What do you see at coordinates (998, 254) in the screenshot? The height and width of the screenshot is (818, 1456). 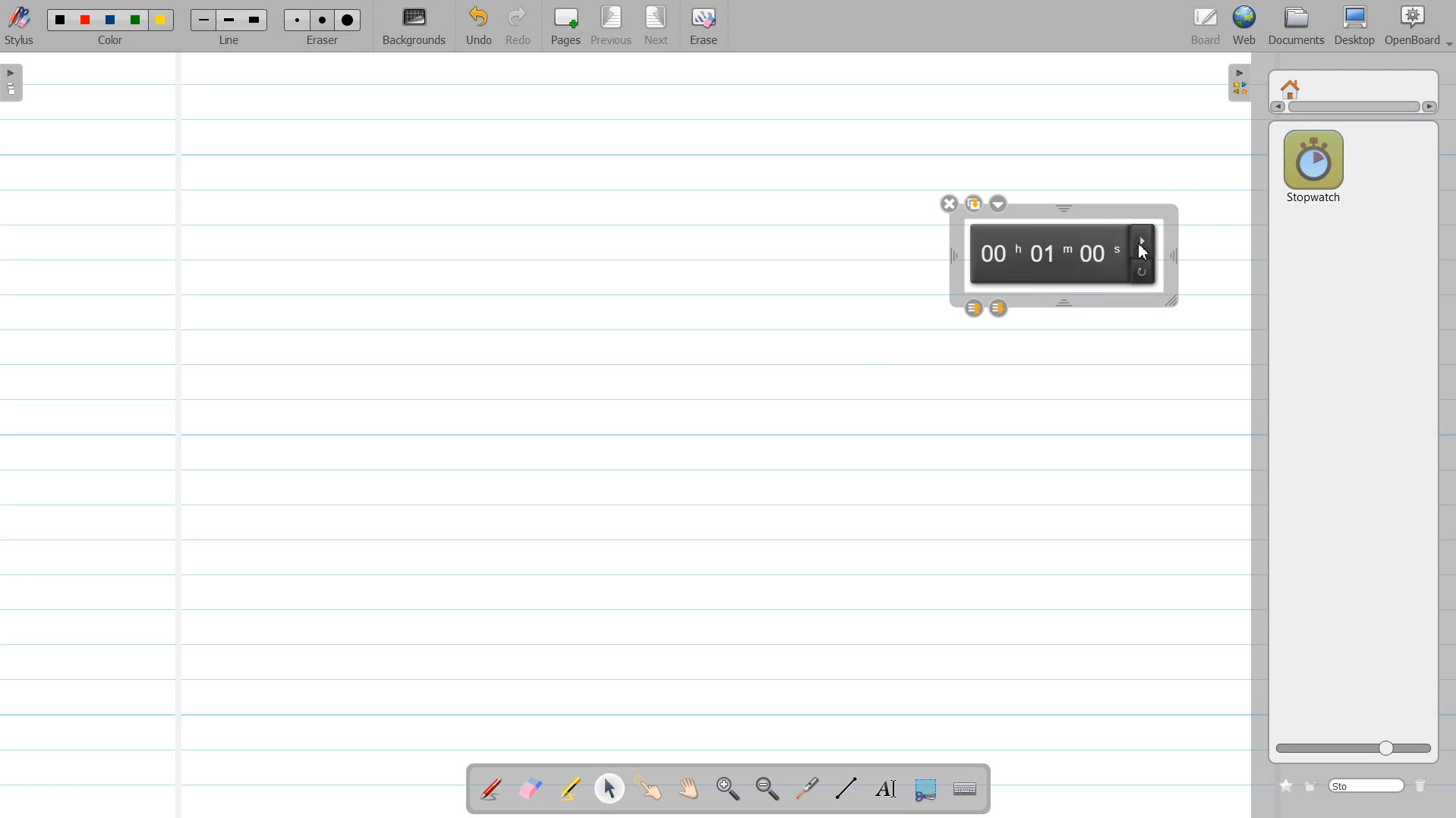 I see `00` at bounding box center [998, 254].